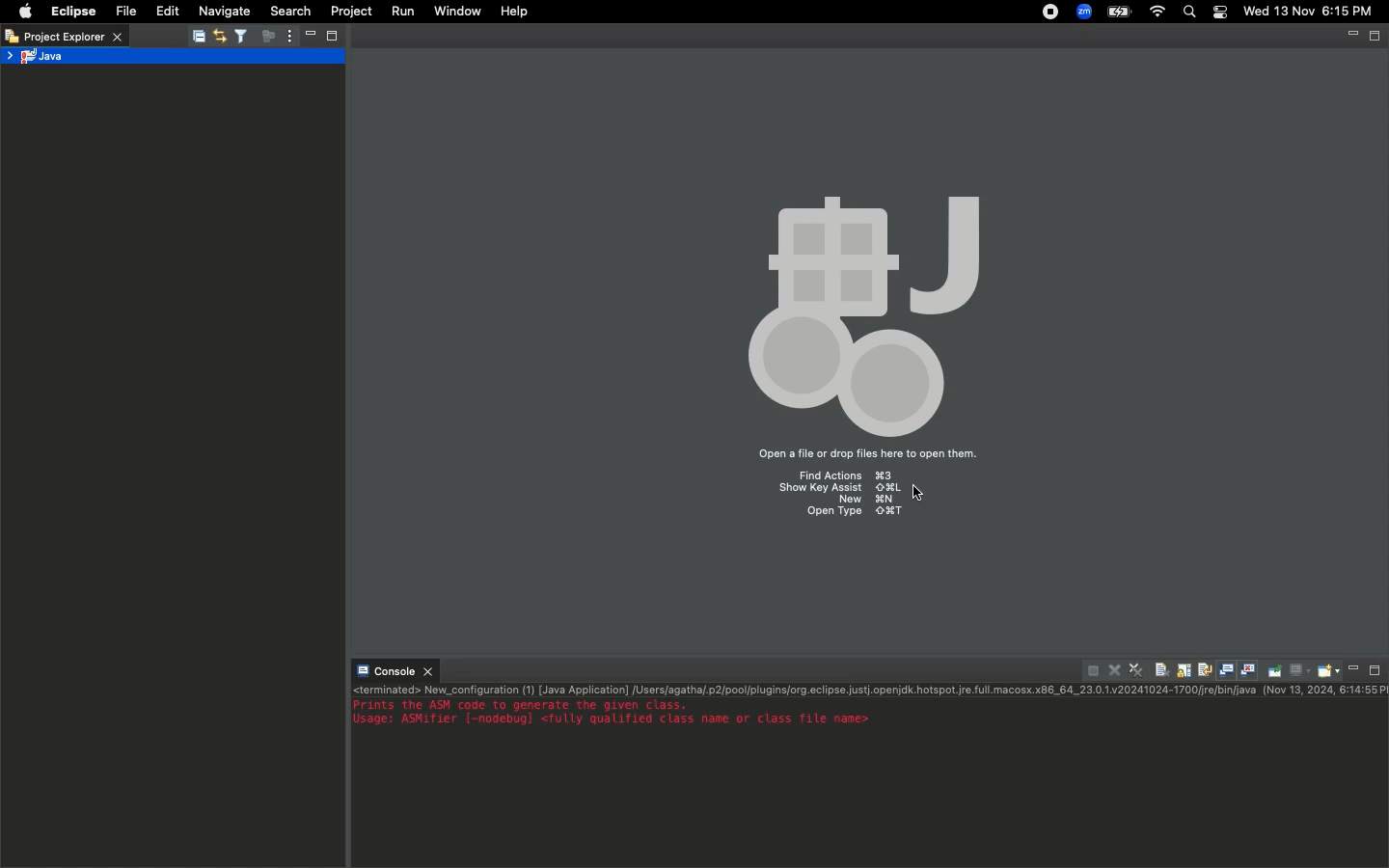 The image size is (1389, 868). I want to click on Show console when standard out changes, so click(1229, 669).